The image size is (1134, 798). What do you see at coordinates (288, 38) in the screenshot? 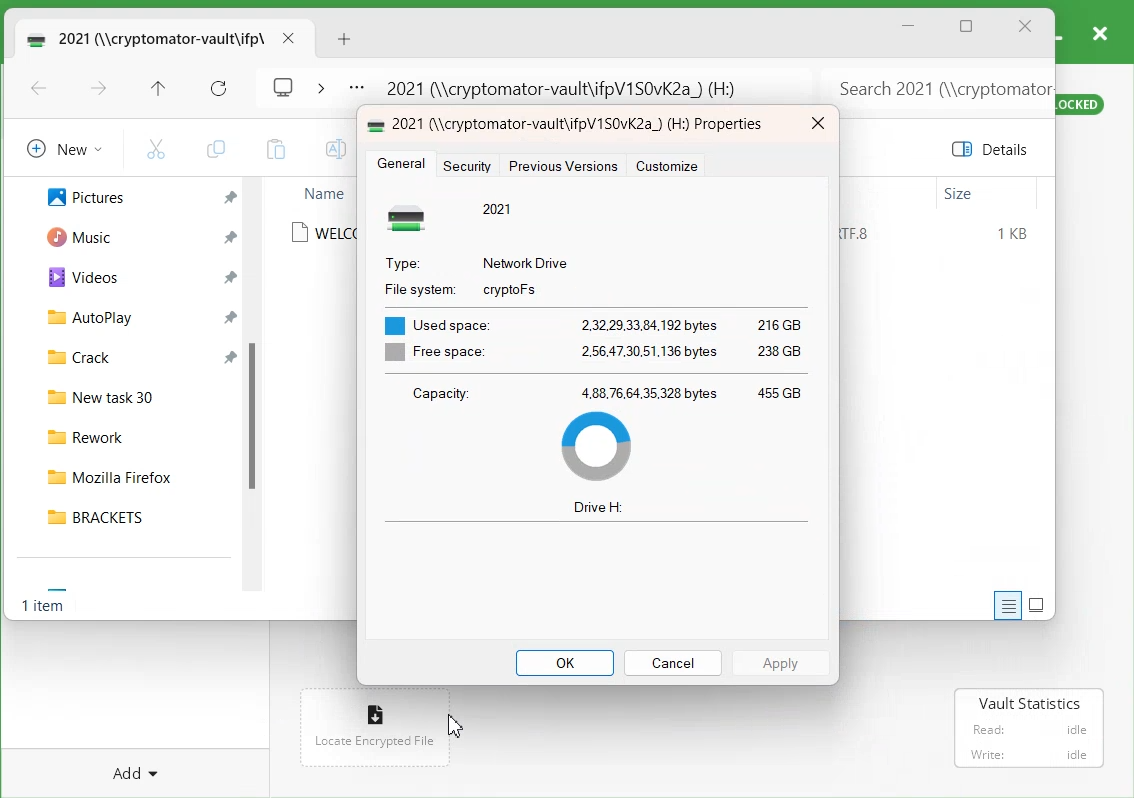
I see `close` at bounding box center [288, 38].